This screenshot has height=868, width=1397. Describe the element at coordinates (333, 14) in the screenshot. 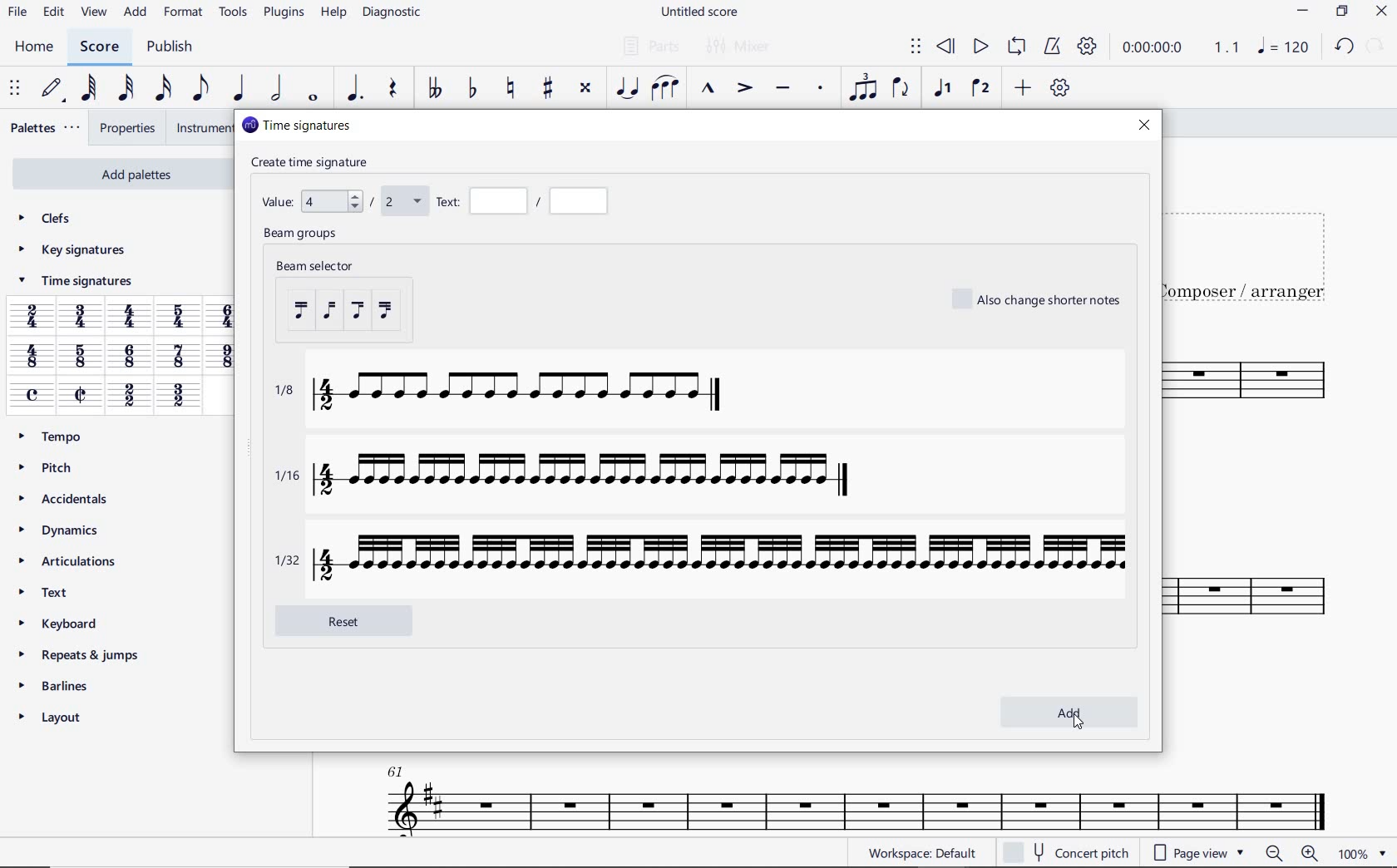

I see `HELP` at that location.